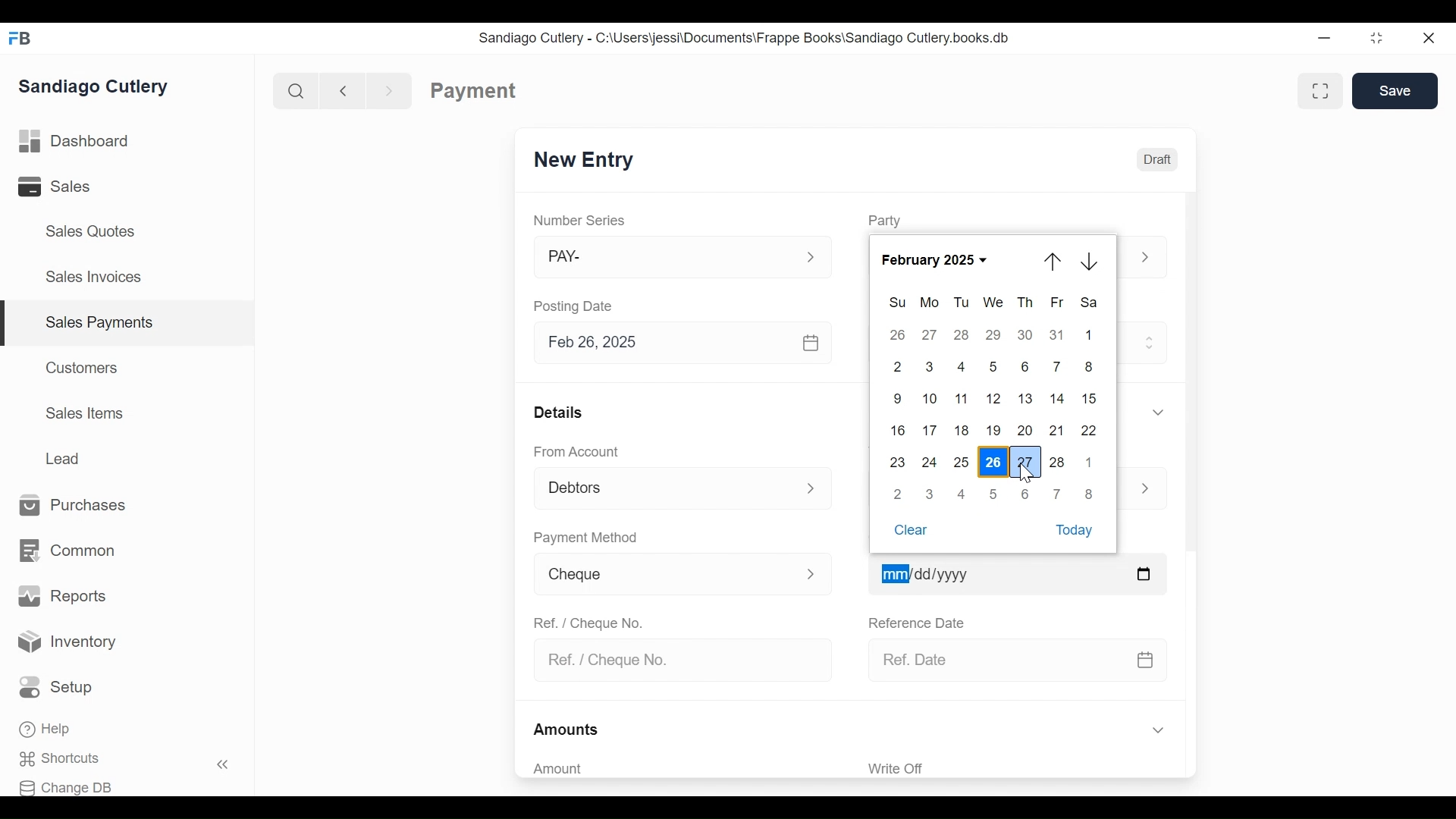 This screenshot has height=819, width=1456. Describe the element at coordinates (940, 259) in the screenshot. I see `February 2025 ` at that location.